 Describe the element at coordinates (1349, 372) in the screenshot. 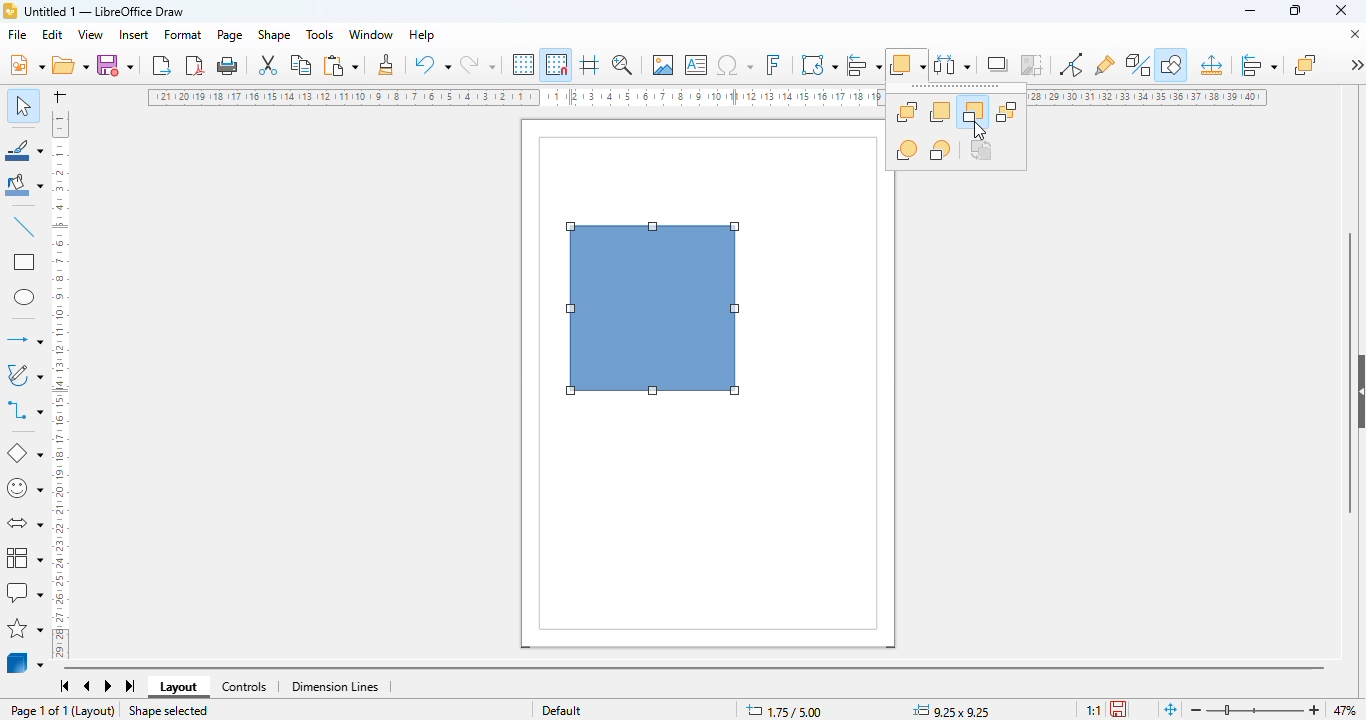

I see `vertical scroll bar` at that location.